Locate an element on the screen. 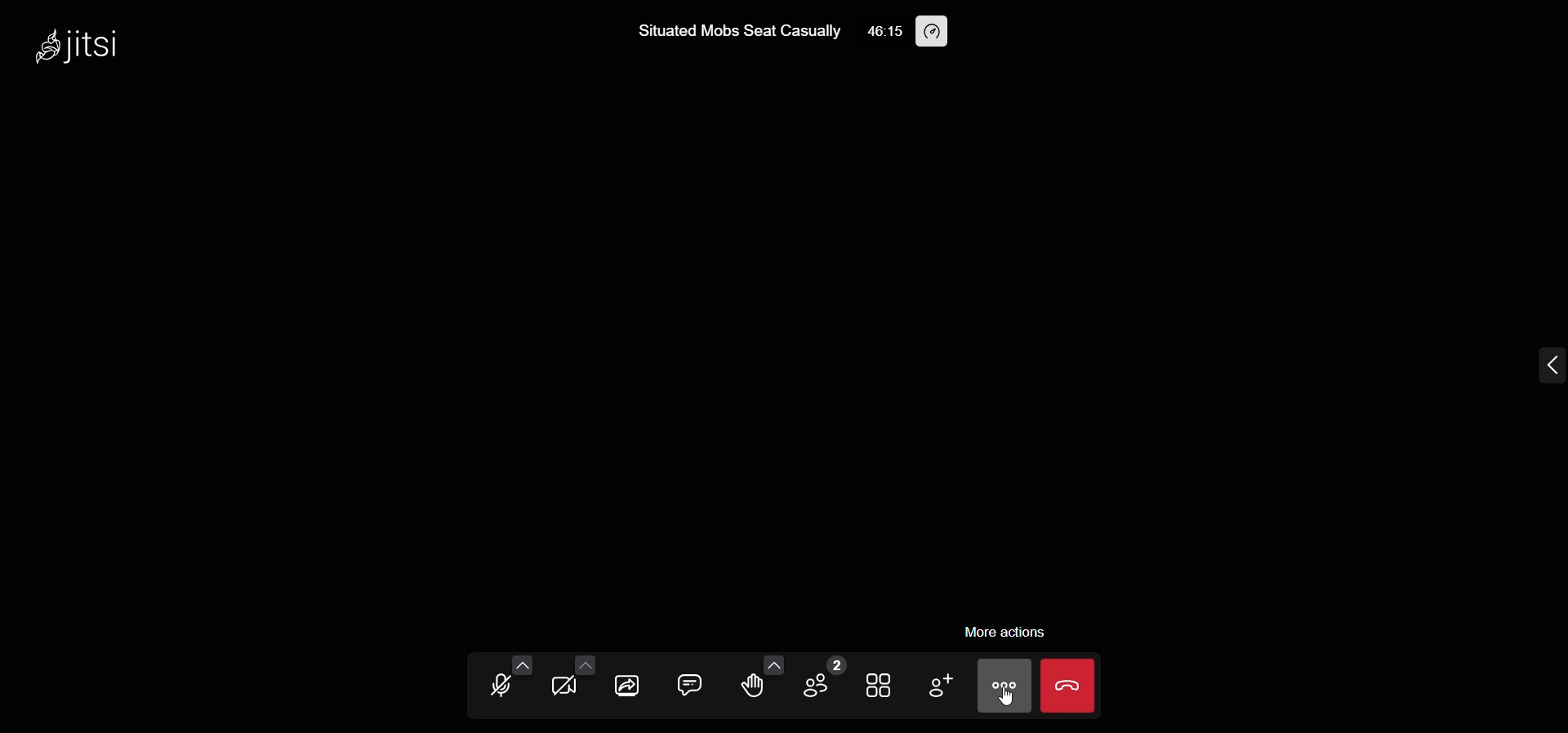  raise hand is located at coordinates (755, 687).